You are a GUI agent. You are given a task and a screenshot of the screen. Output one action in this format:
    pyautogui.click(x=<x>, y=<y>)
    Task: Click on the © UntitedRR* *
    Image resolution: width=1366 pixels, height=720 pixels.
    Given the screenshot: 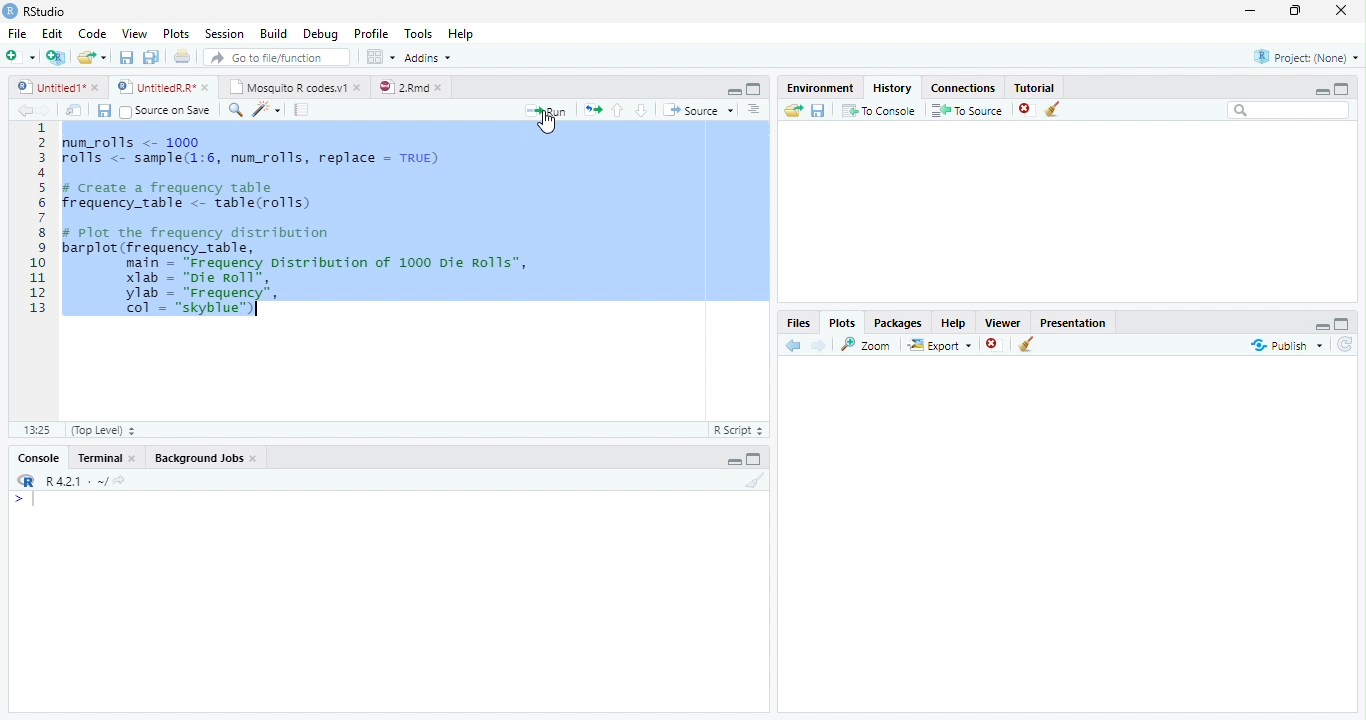 What is the action you would take?
    pyautogui.click(x=165, y=87)
    